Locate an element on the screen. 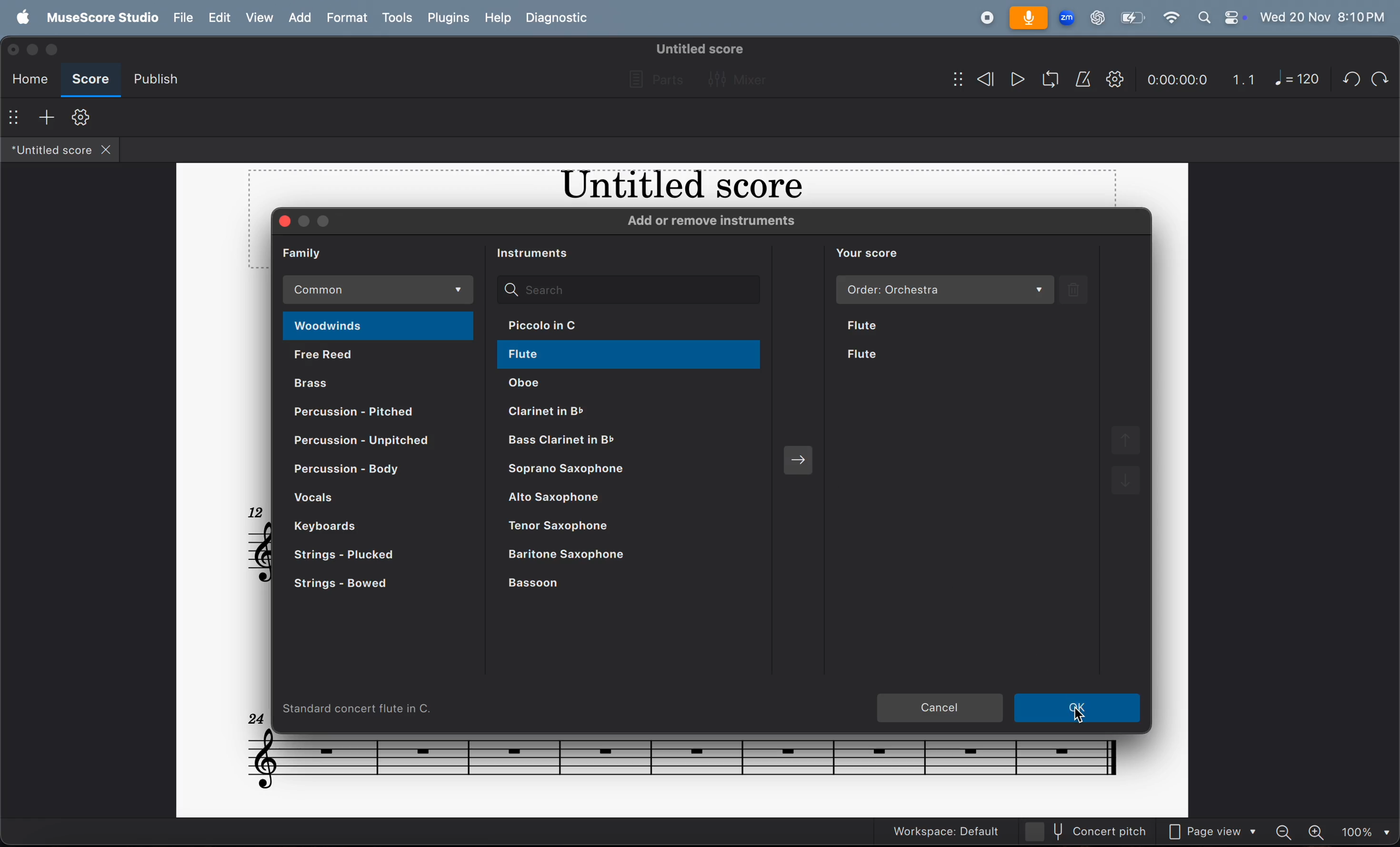  mixer is located at coordinates (735, 77).